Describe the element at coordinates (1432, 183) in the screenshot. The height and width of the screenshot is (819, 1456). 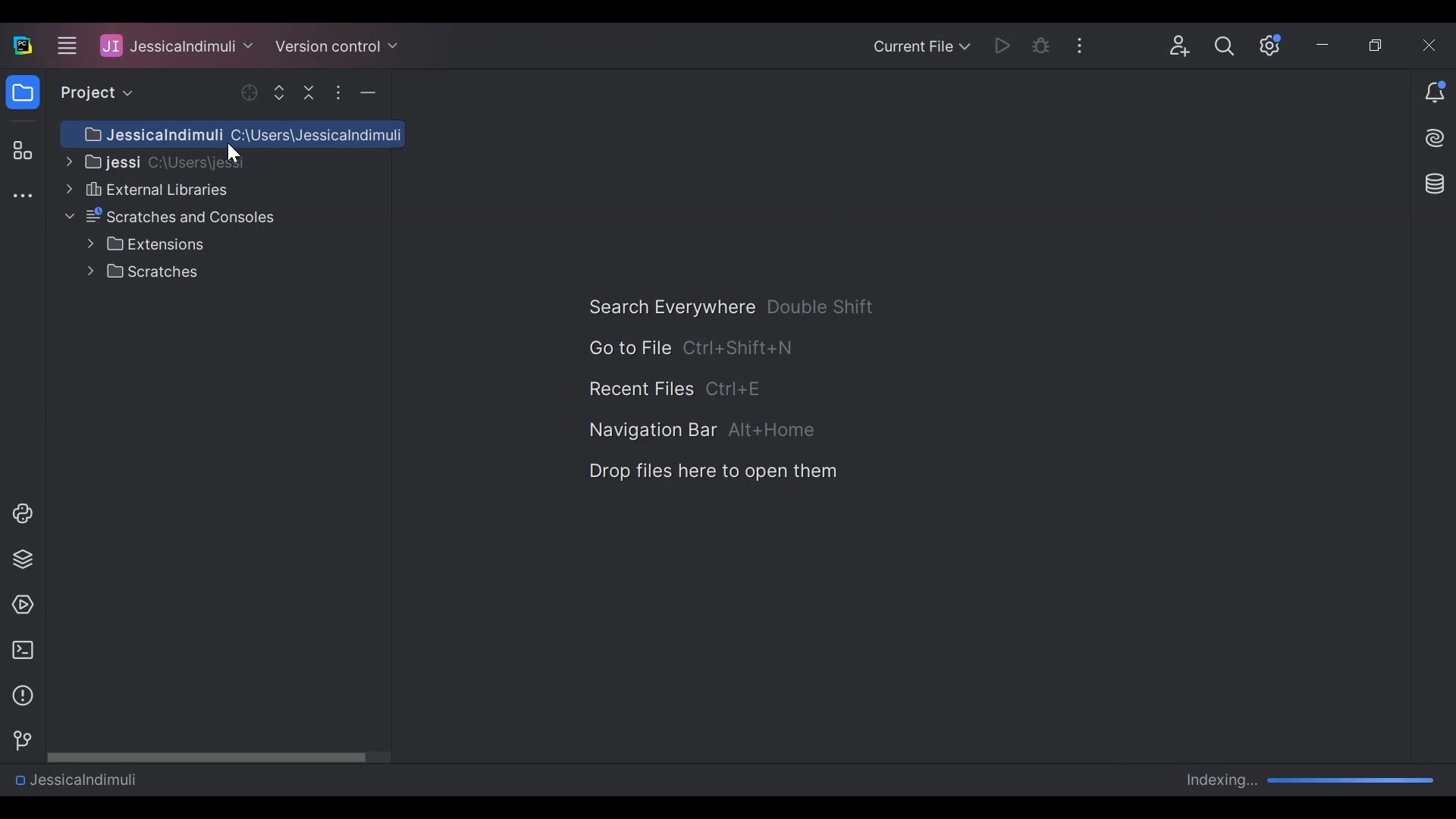
I see `Database` at that location.